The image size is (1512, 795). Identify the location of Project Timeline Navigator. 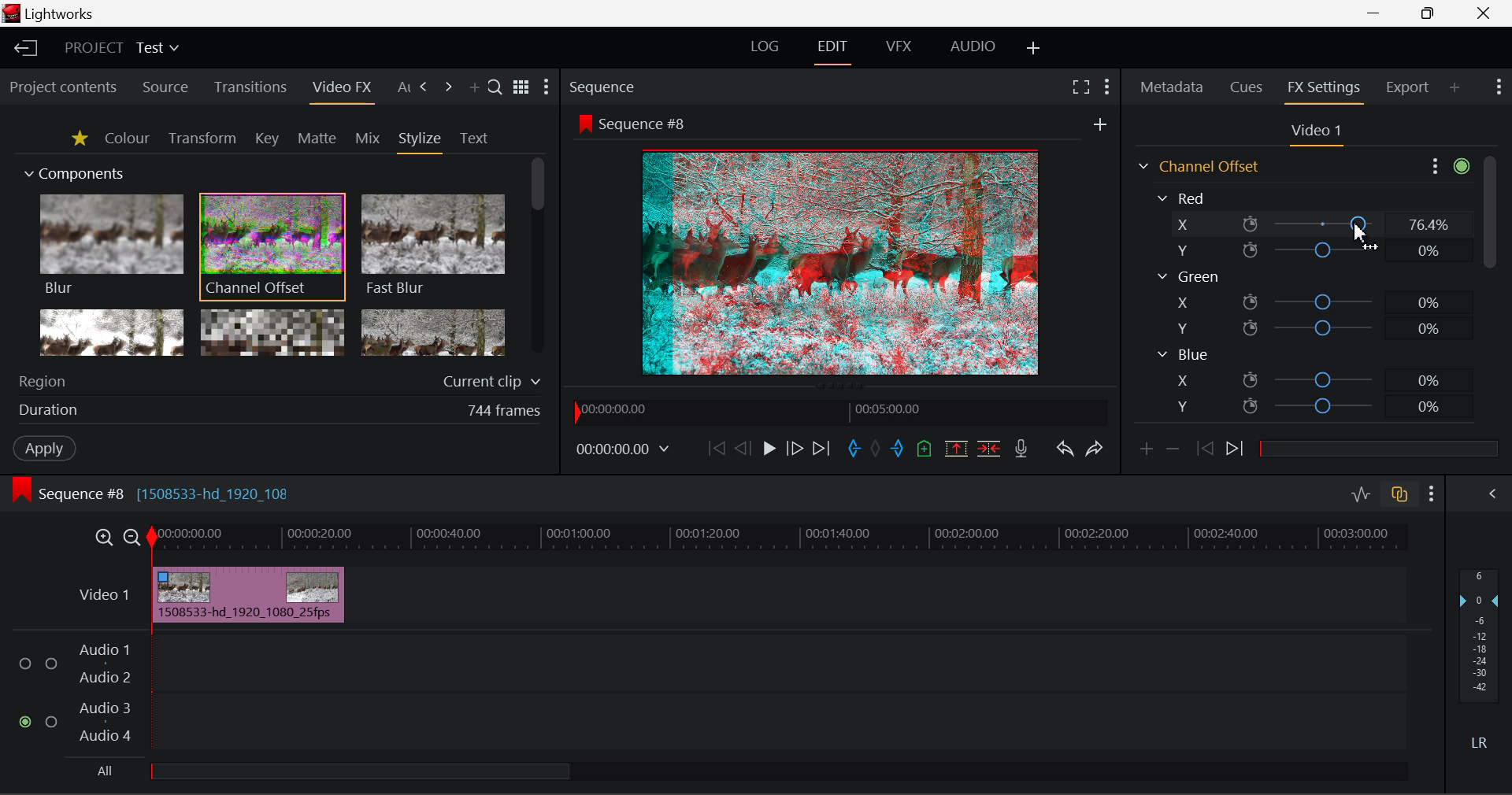
(841, 412).